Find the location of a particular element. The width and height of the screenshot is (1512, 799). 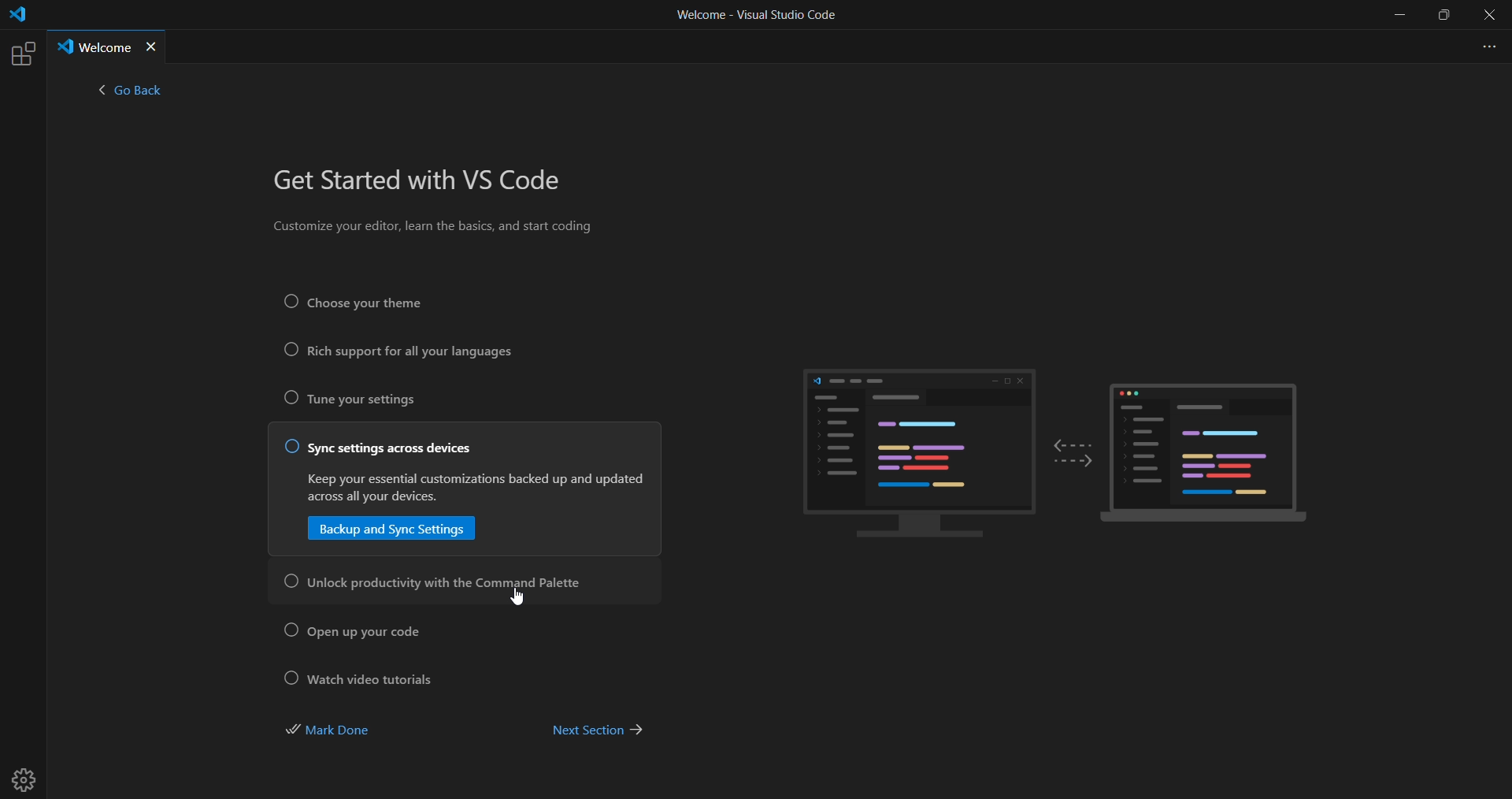

Keep your essential customizations backed up and updates across all your devices. is located at coordinates (473, 488).